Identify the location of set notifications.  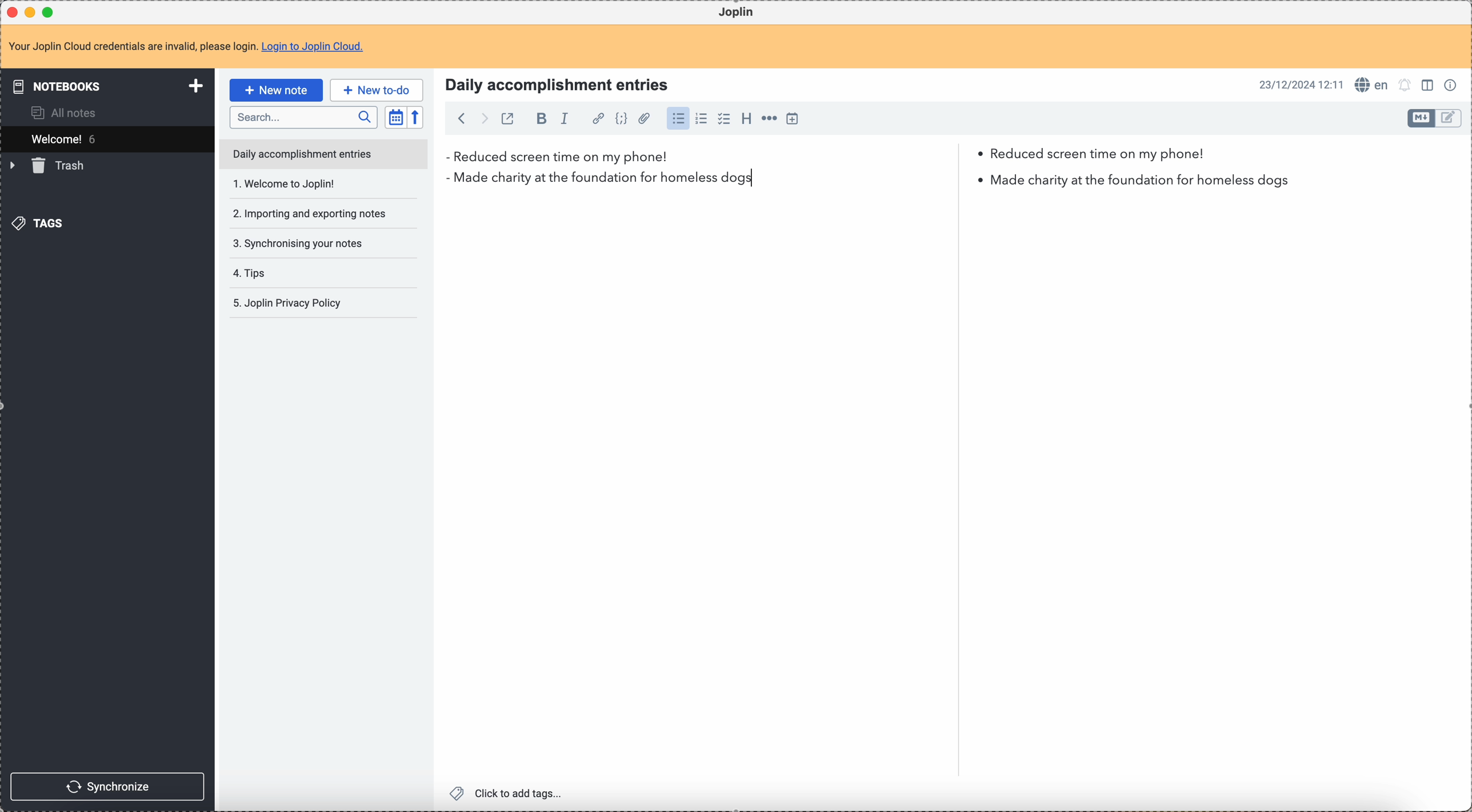
(1406, 86).